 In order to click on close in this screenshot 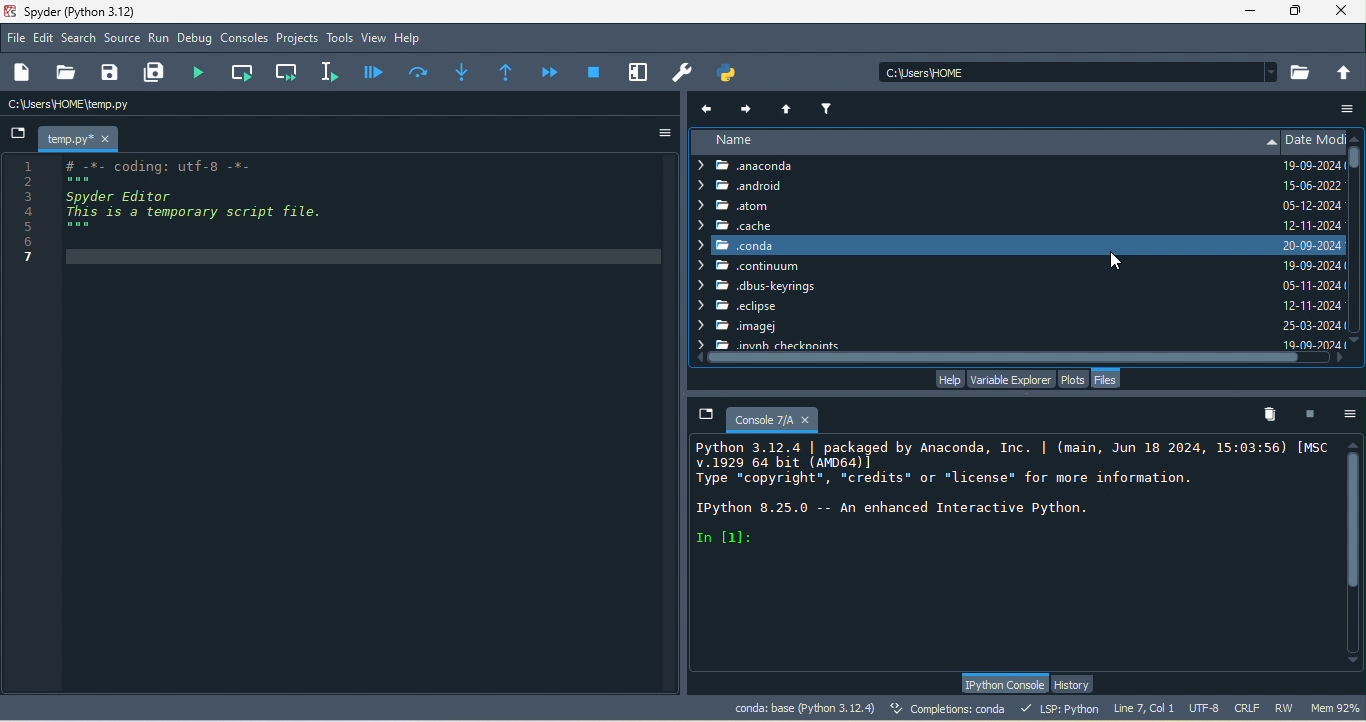, I will do `click(1346, 12)`.